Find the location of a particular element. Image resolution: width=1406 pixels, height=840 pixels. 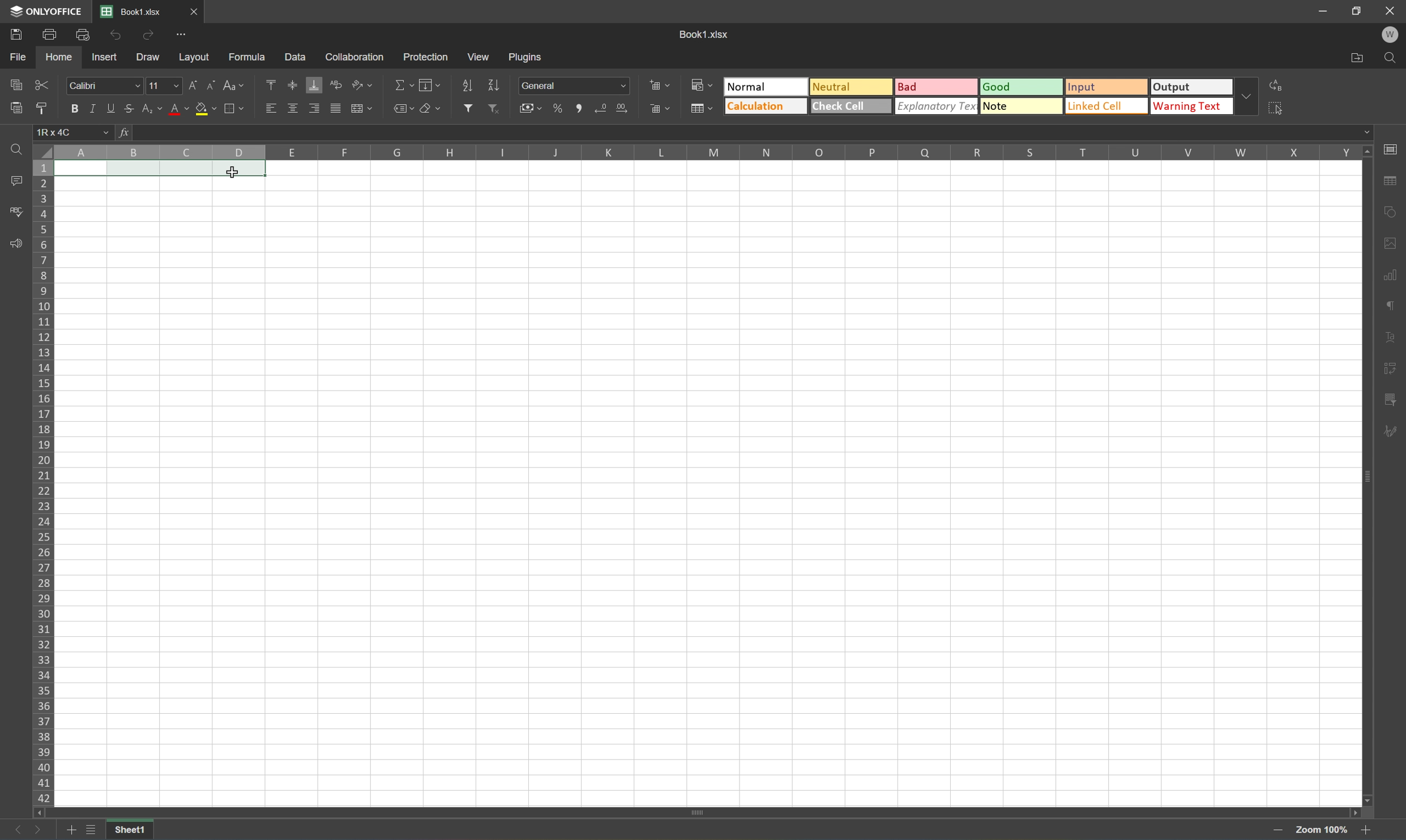

Plugins is located at coordinates (527, 57).